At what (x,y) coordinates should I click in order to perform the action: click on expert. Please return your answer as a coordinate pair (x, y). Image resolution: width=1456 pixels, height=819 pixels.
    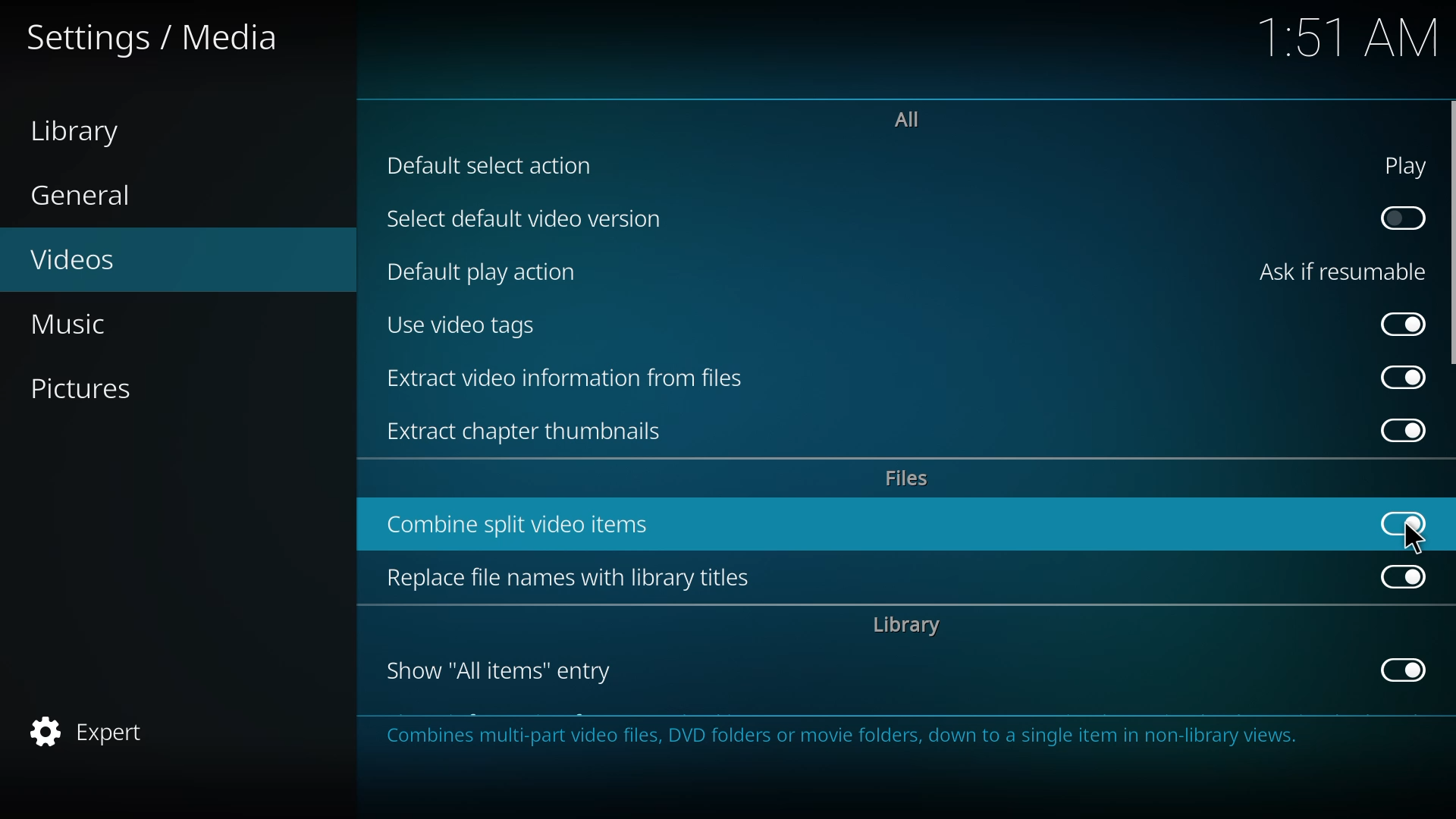
    Looking at the image, I should click on (86, 730).